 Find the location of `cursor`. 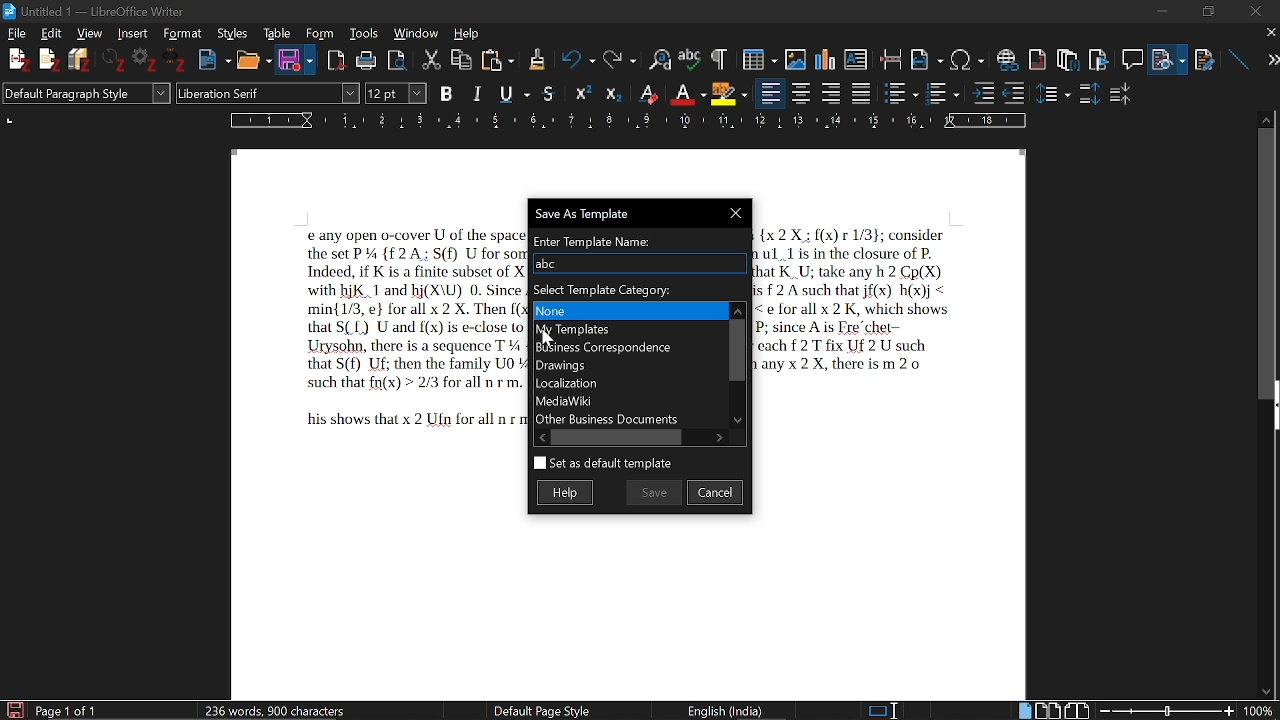

cursor is located at coordinates (554, 340).